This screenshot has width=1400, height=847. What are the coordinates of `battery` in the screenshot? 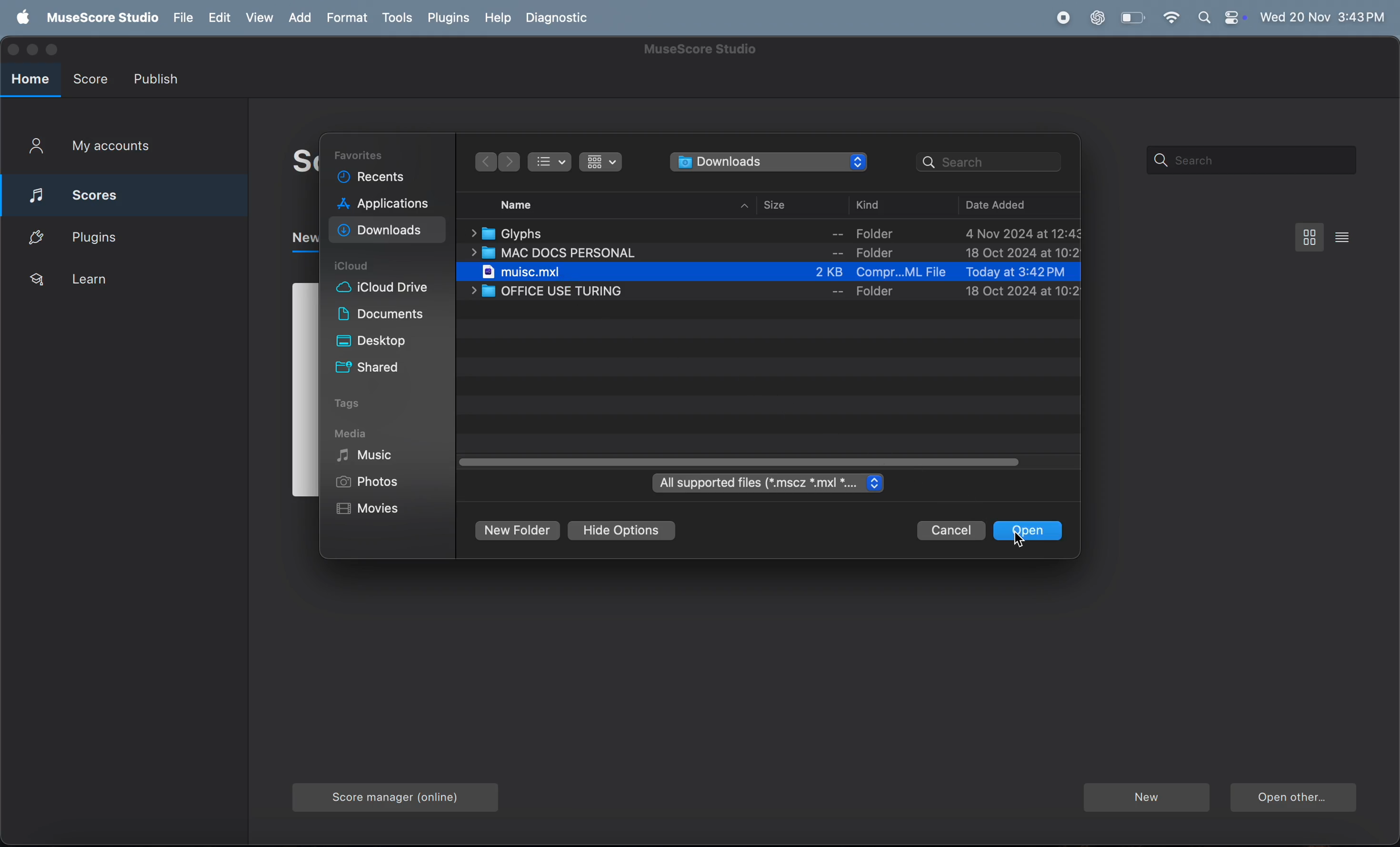 It's located at (1132, 17).